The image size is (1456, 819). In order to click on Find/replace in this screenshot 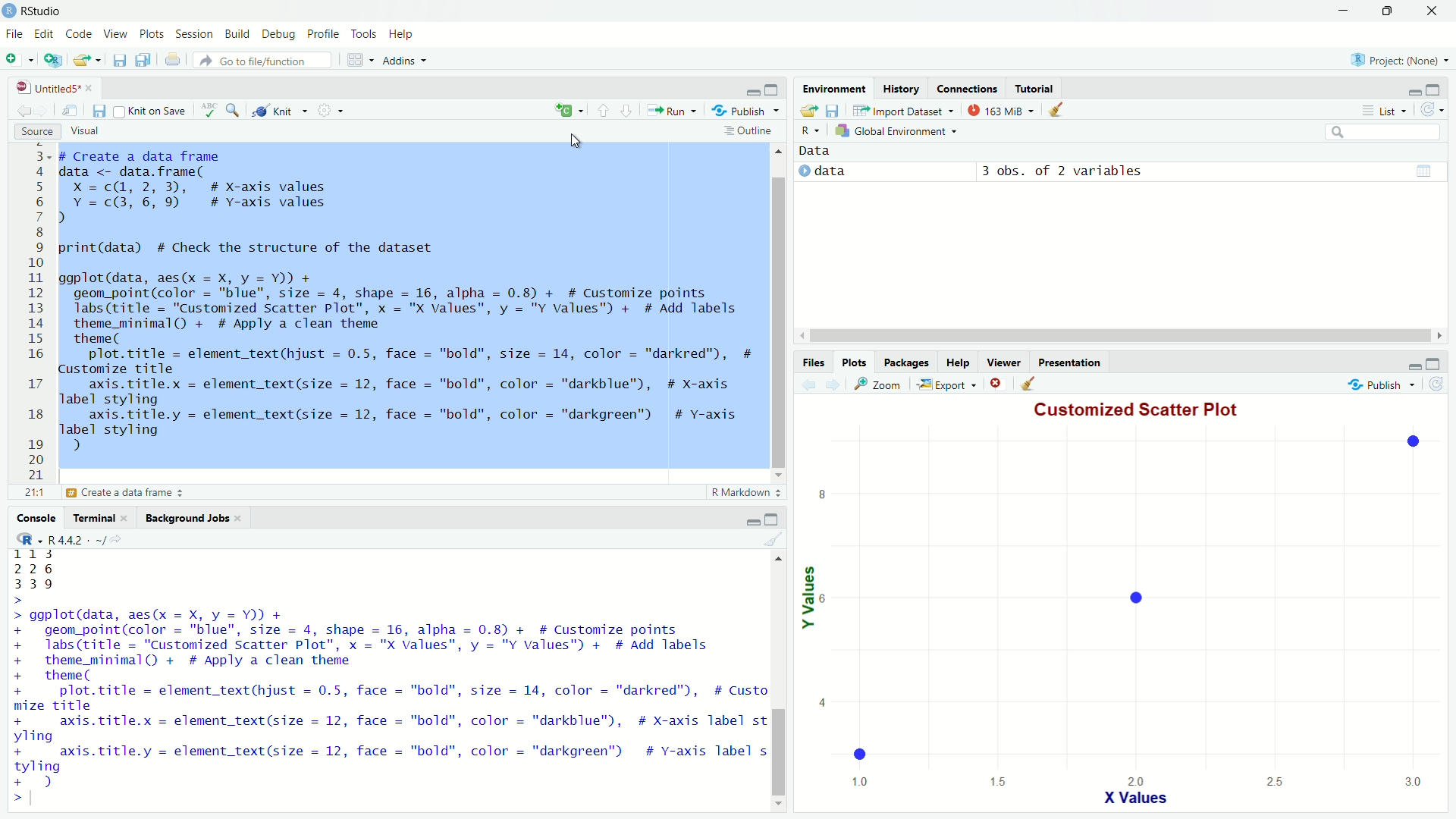, I will do `click(235, 112)`.